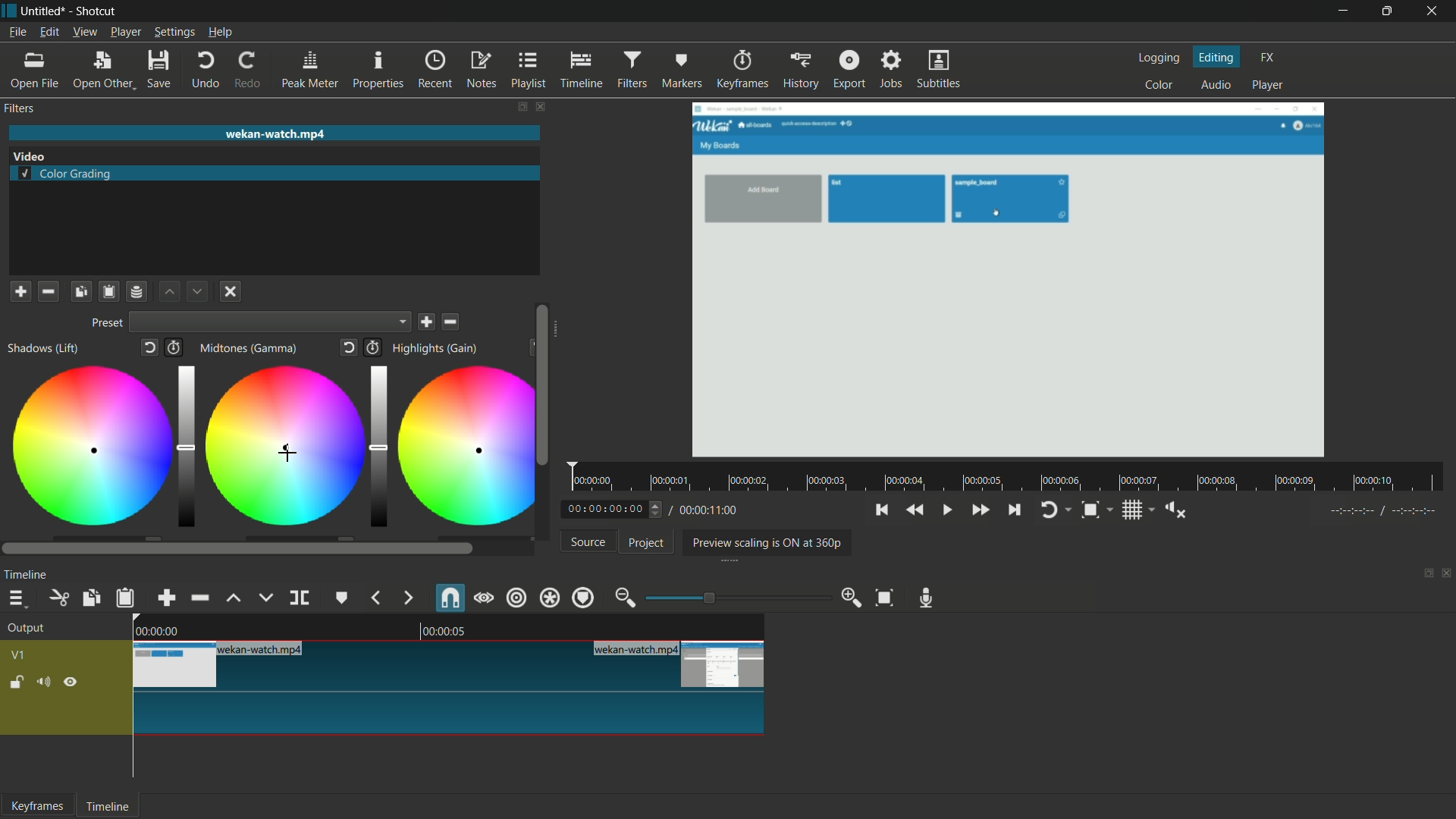 This screenshot has height=819, width=1456. Describe the element at coordinates (27, 630) in the screenshot. I see `output` at that location.